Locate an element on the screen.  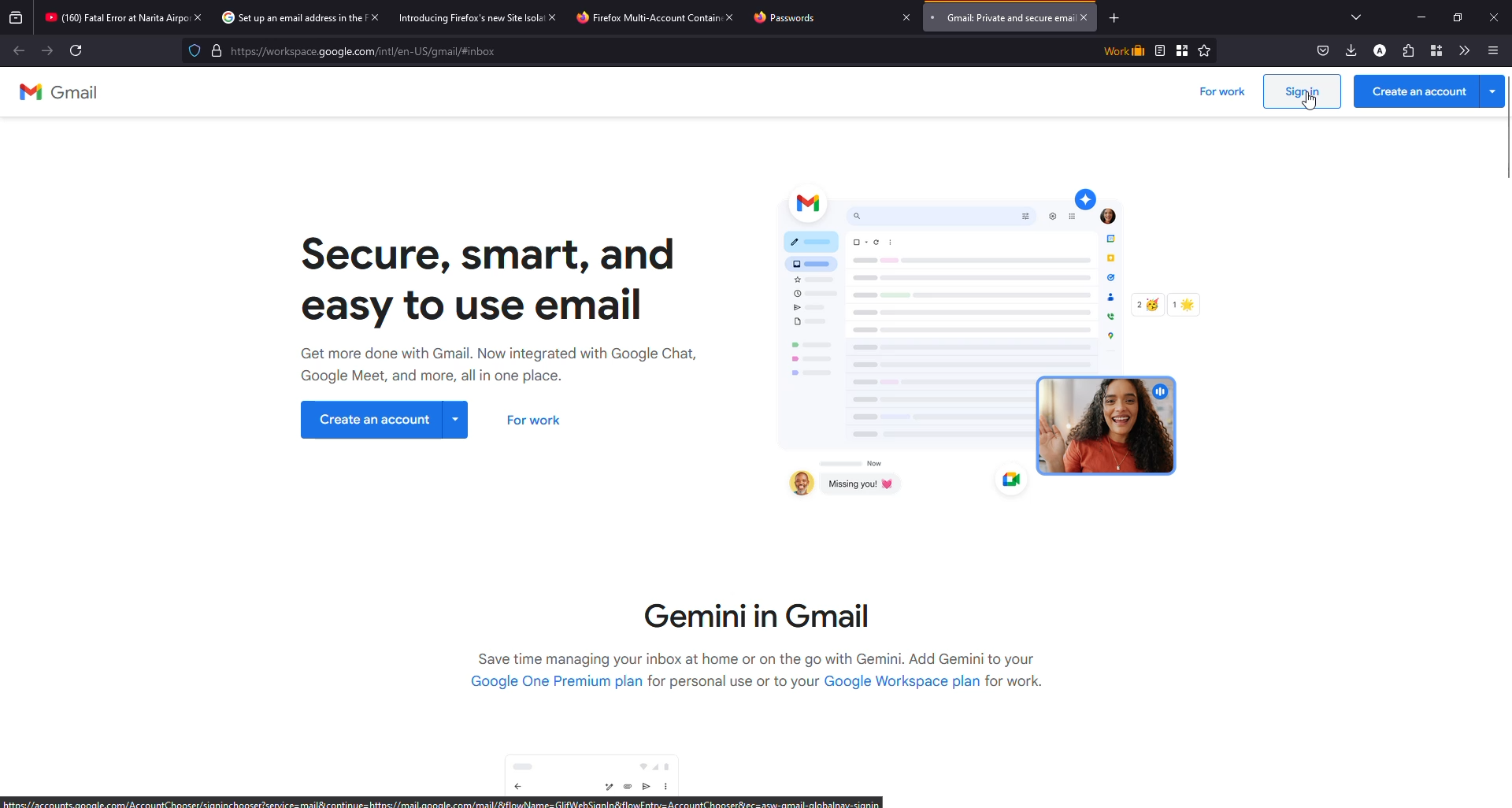
Secure, smart, and easy to use email is located at coordinates (491, 278).